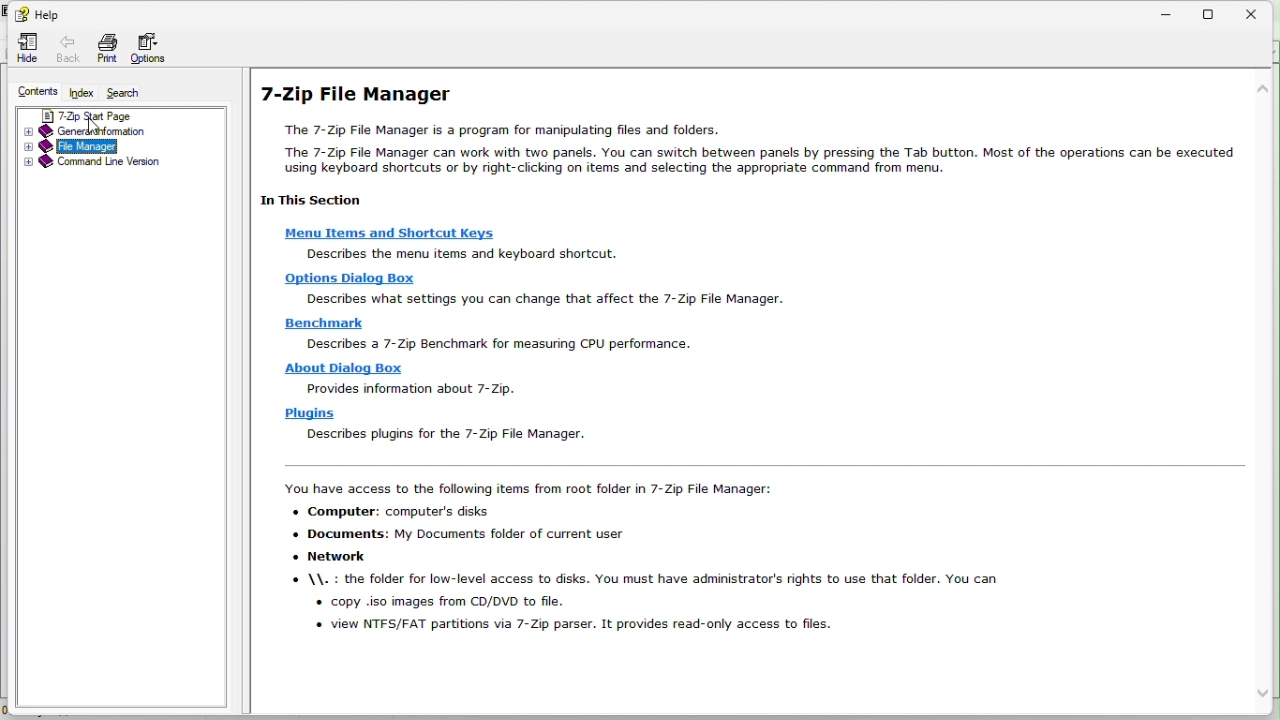 This screenshot has width=1280, height=720. Describe the element at coordinates (410, 388) in the screenshot. I see `Provides information about 7-Zip` at that location.